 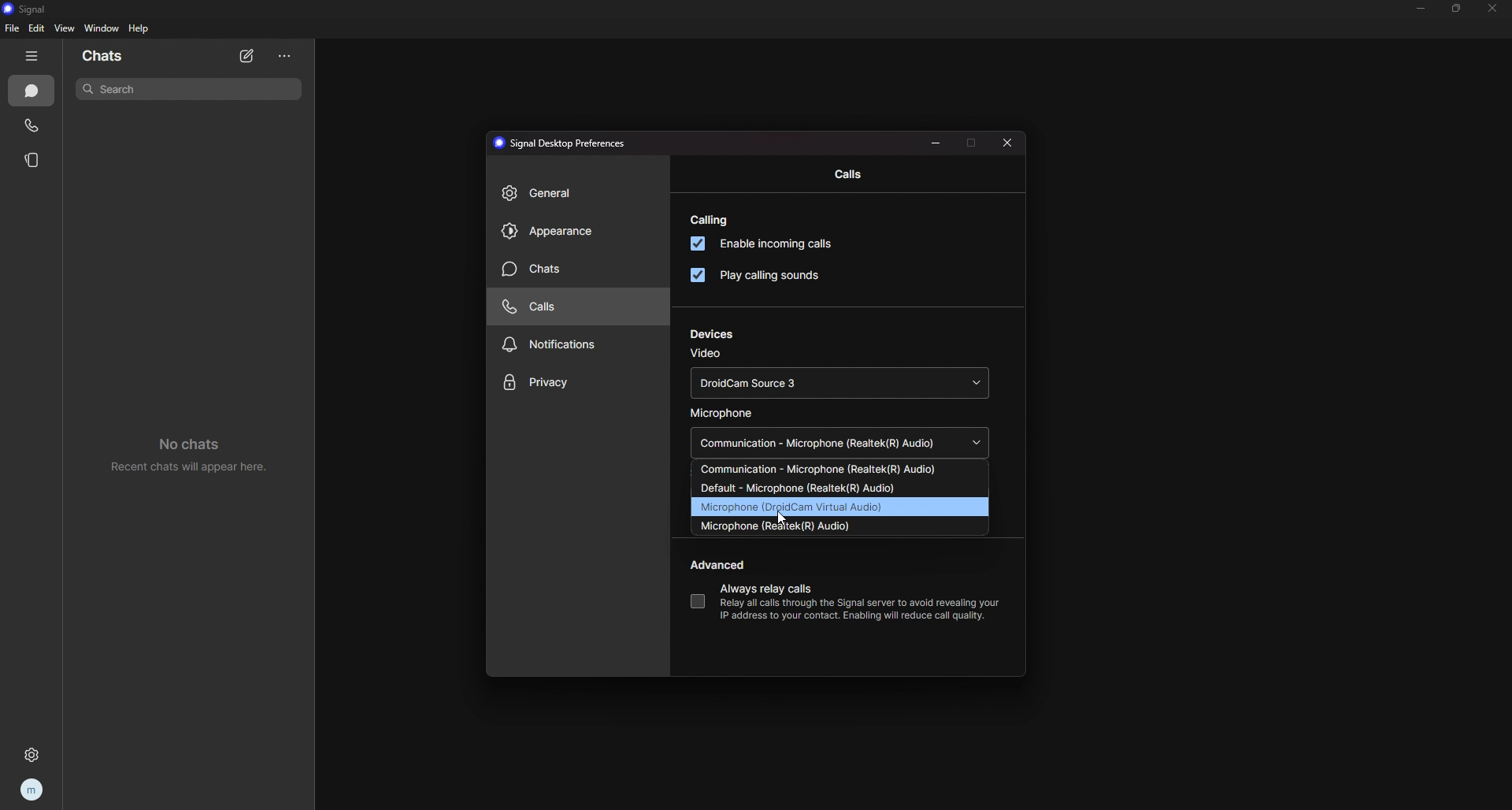 I want to click on always relay calls, so click(x=698, y=601).